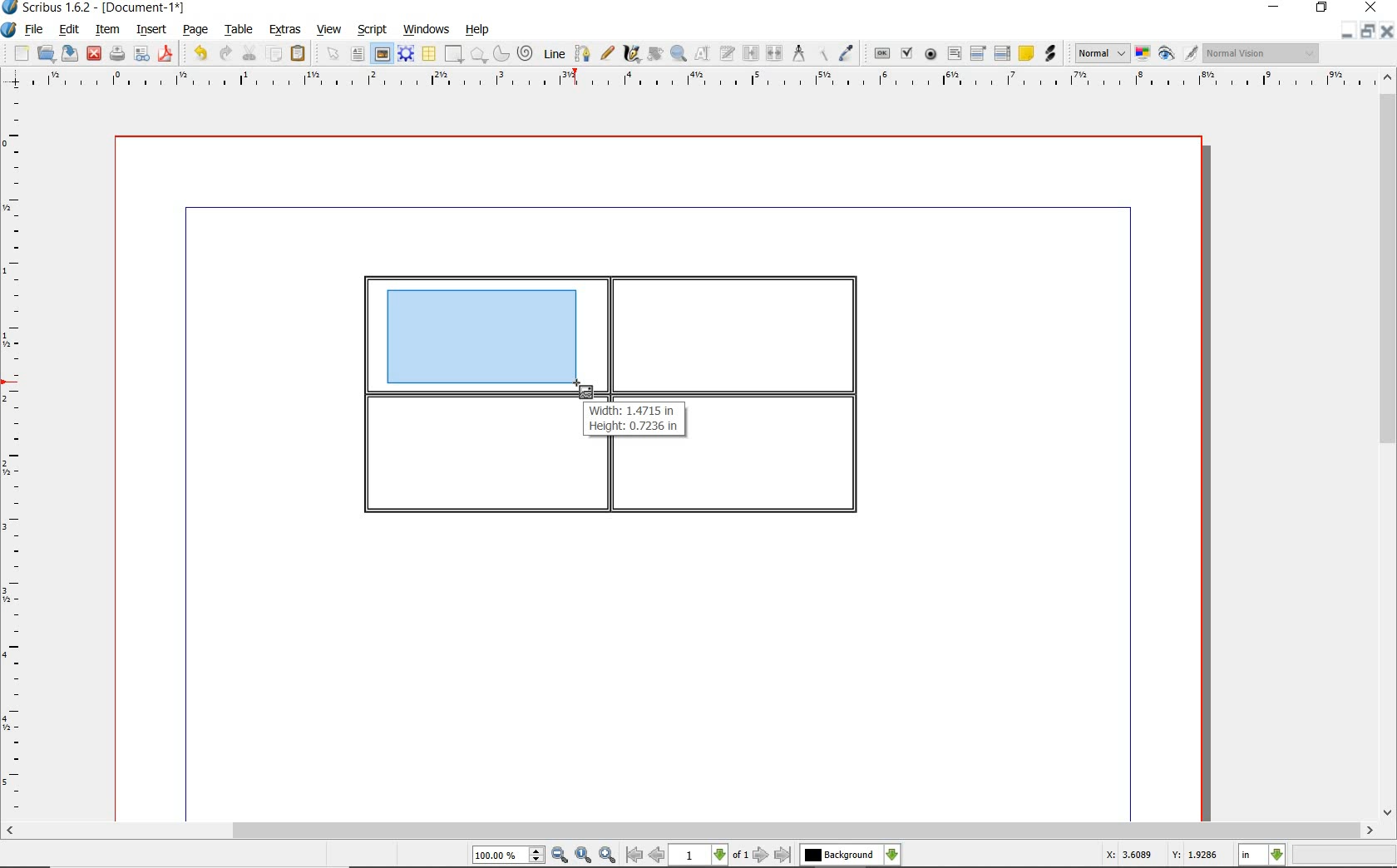  Describe the element at coordinates (141, 55) in the screenshot. I see `preflight verifier` at that location.